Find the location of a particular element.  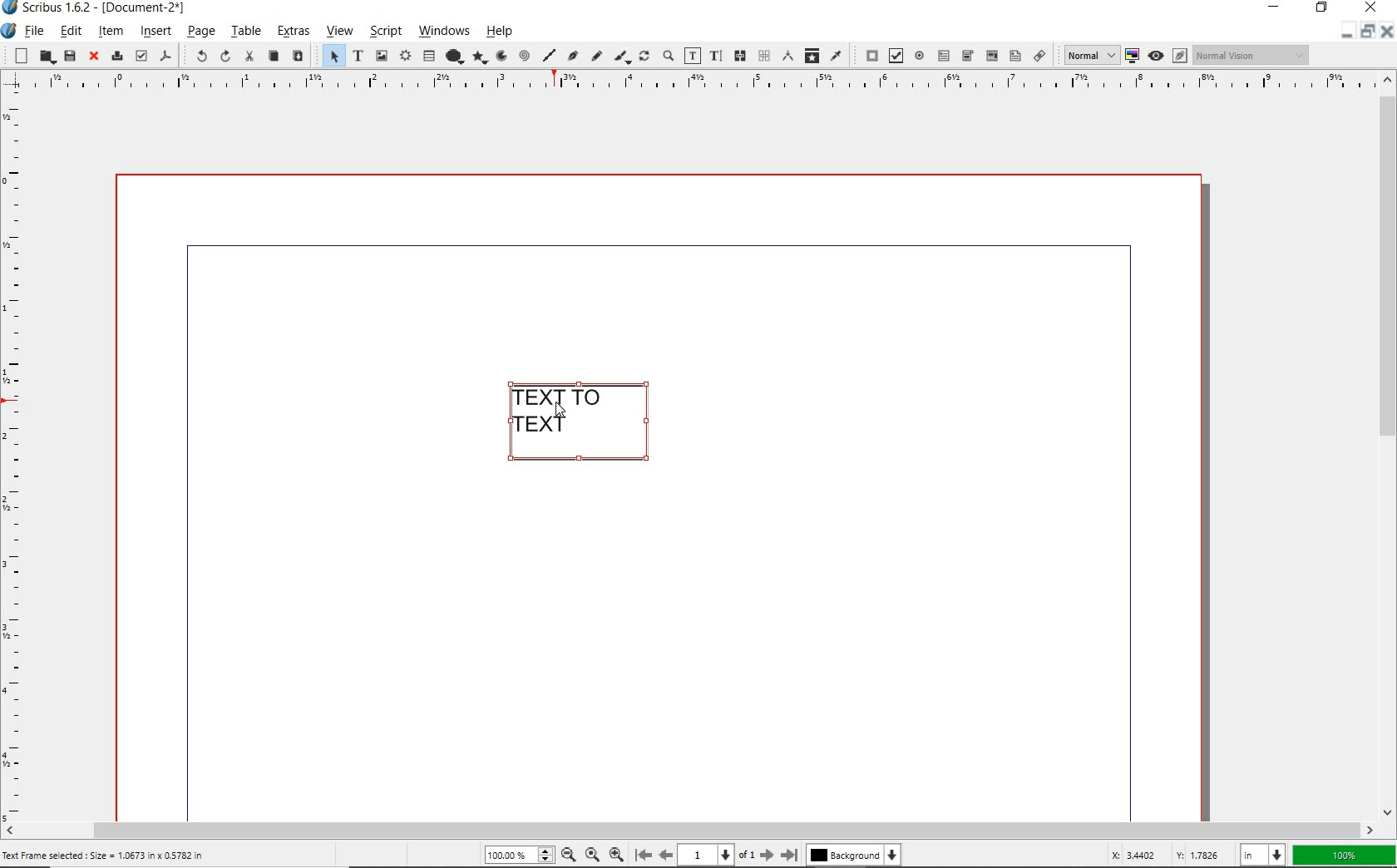

insert is located at coordinates (155, 31).